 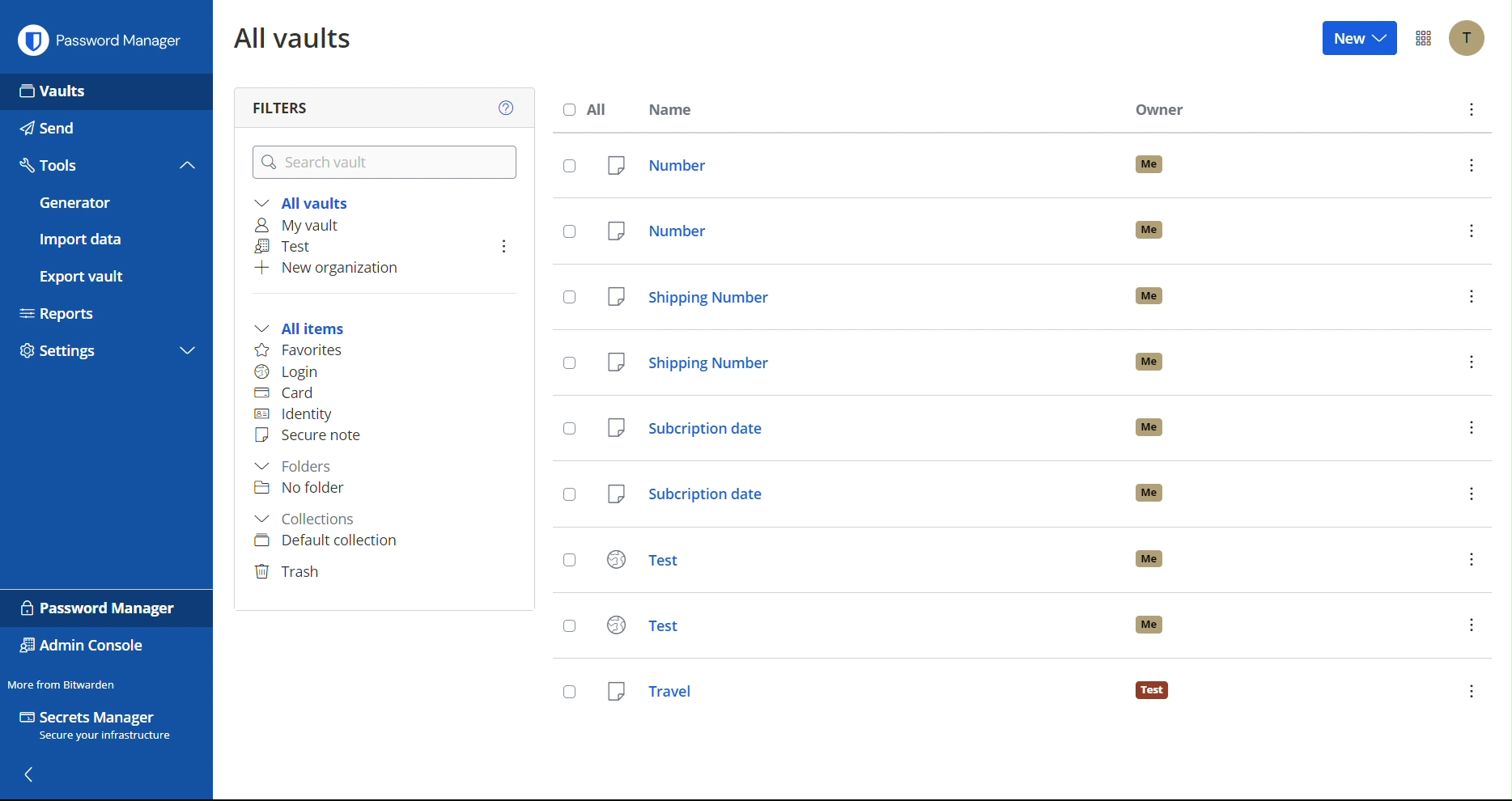 What do you see at coordinates (62, 684) in the screenshot?
I see `Move from Bitwarden` at bounding box center [62, 684].